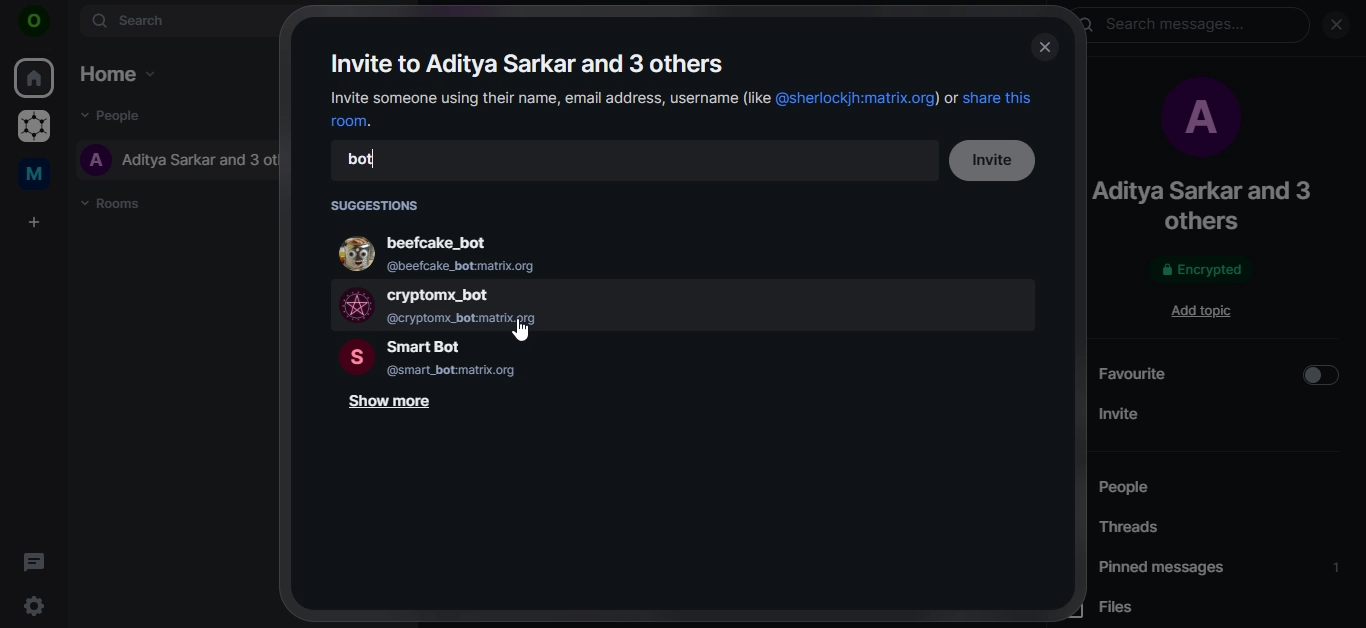 The height and width of the screenshot is (628, 1366). What do you see at coordinates (117, 70) in the screenshot?
I see `home` at bounding box center [117, 70].